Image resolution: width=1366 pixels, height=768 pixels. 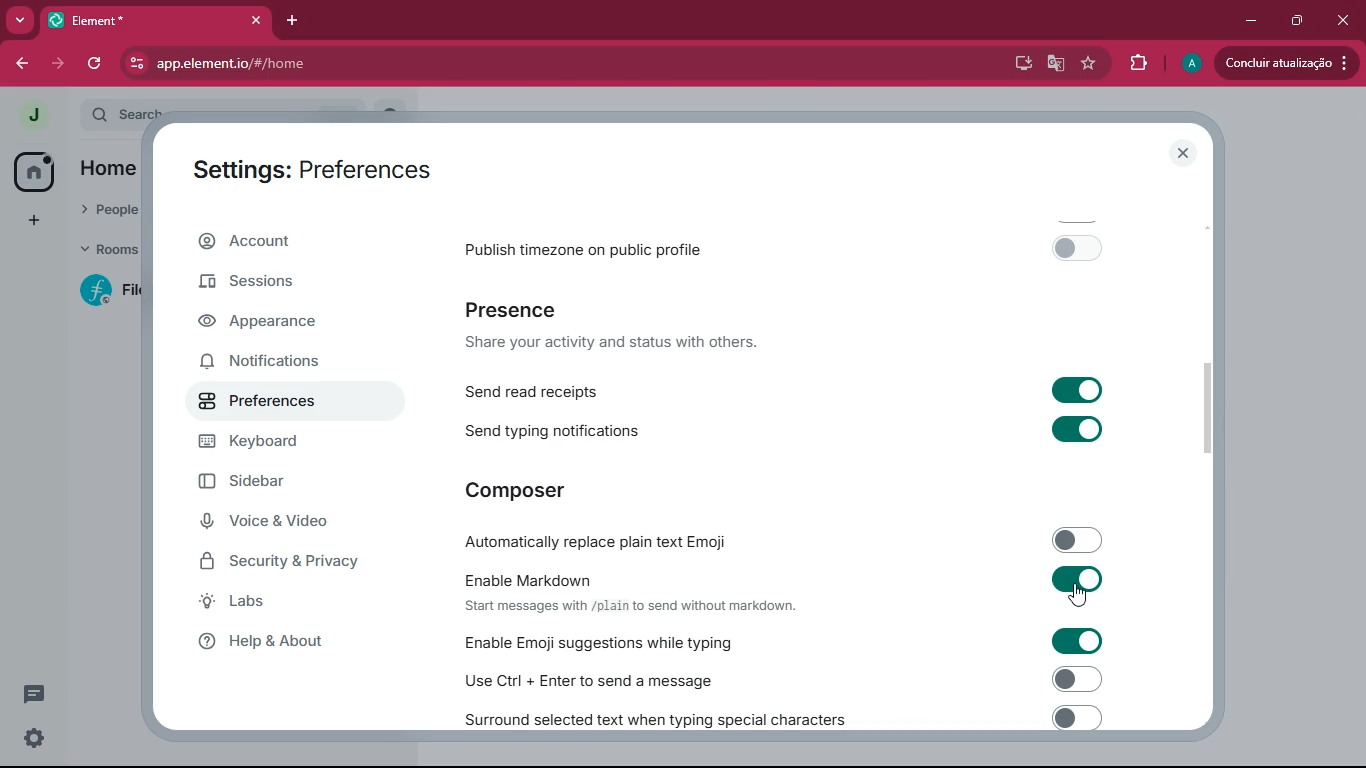 What do you see at coordinates (353, 64) in the screenshot?
I see `url` at bounding box center [353, 64].